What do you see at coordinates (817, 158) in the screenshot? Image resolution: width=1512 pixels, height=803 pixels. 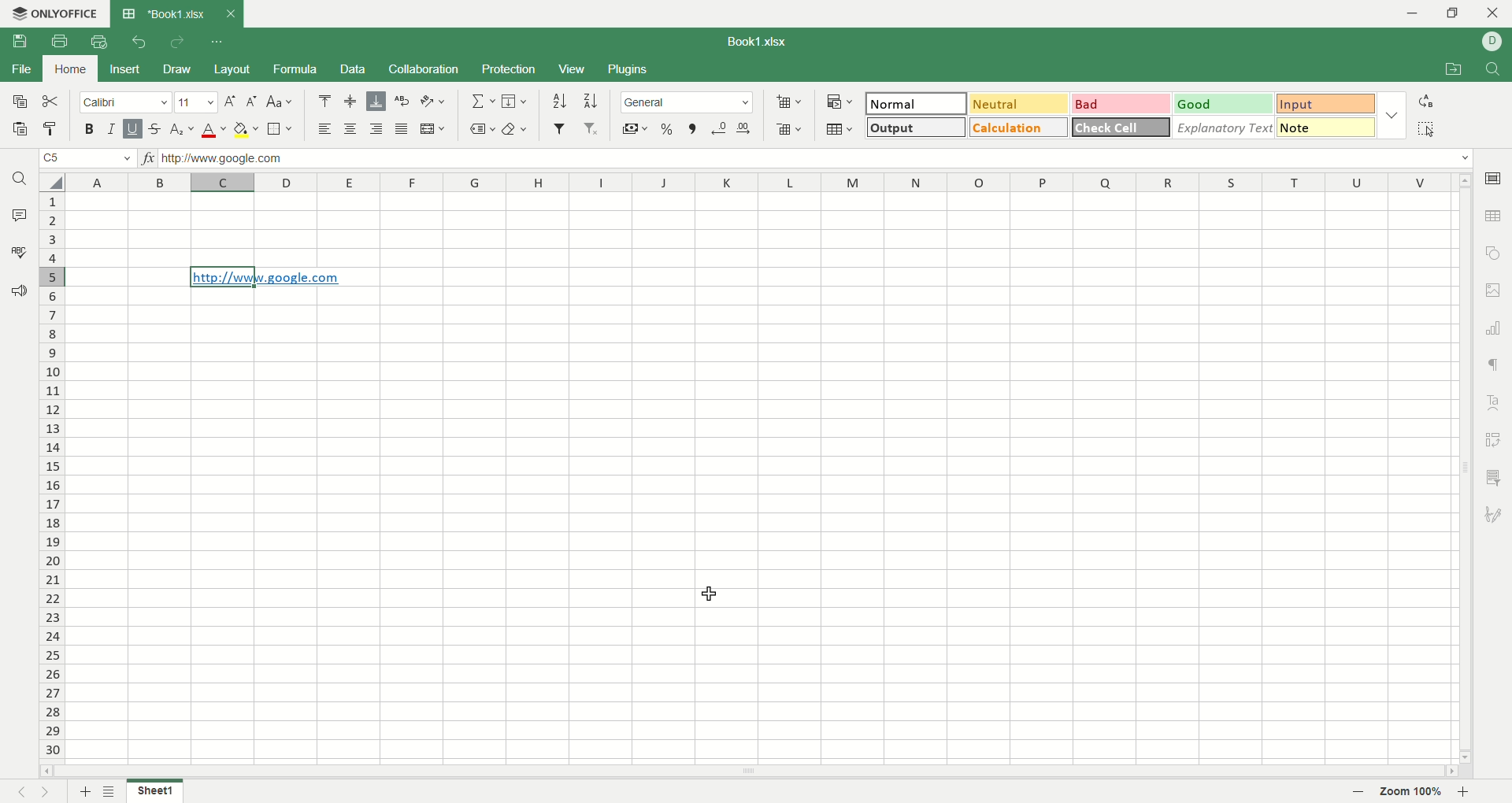 I see `formula bar` at bounding box center [817, 158].